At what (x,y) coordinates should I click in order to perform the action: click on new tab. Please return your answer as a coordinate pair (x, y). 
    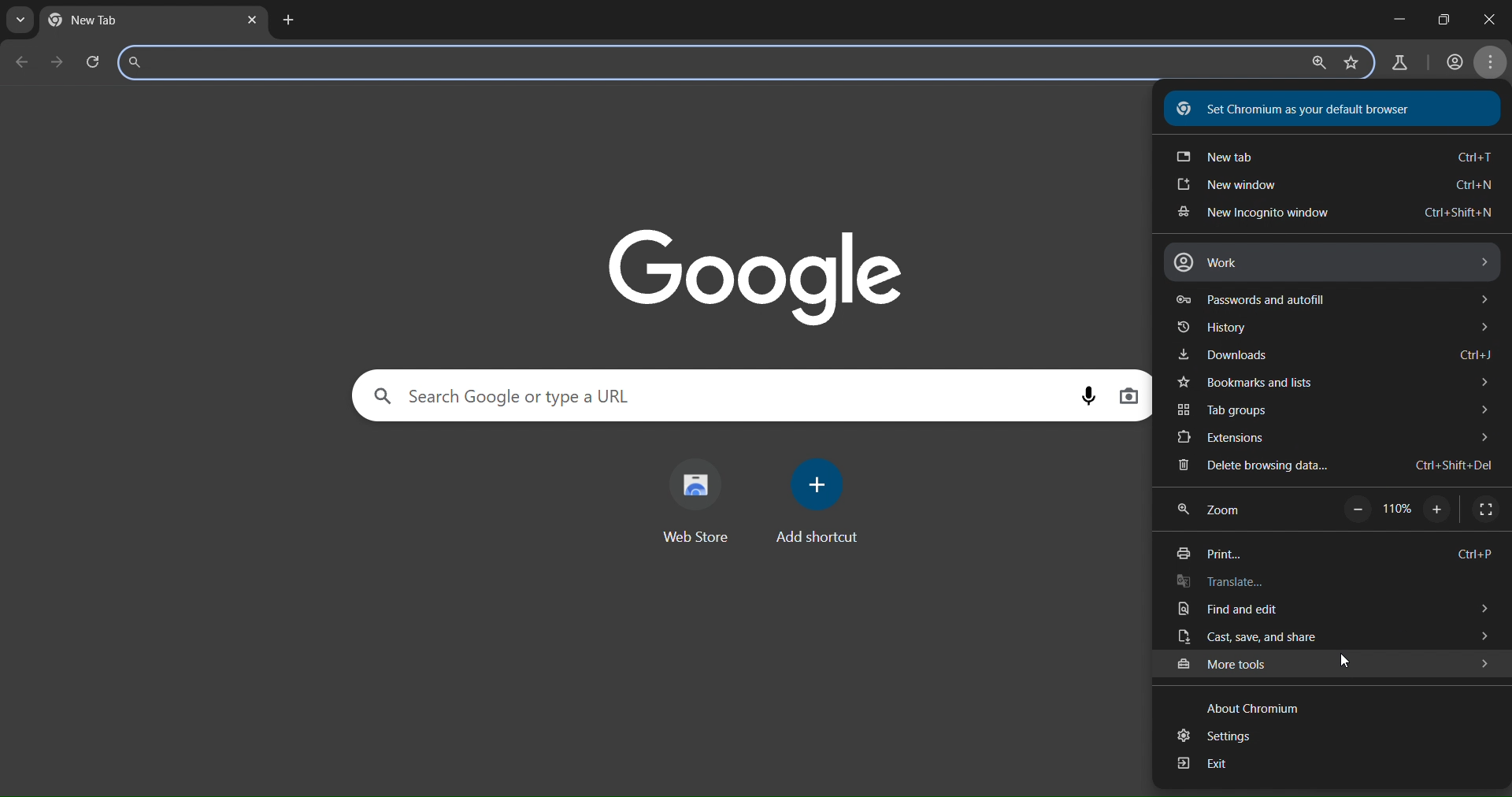
    Looking at the image, I should click on (106, 20).